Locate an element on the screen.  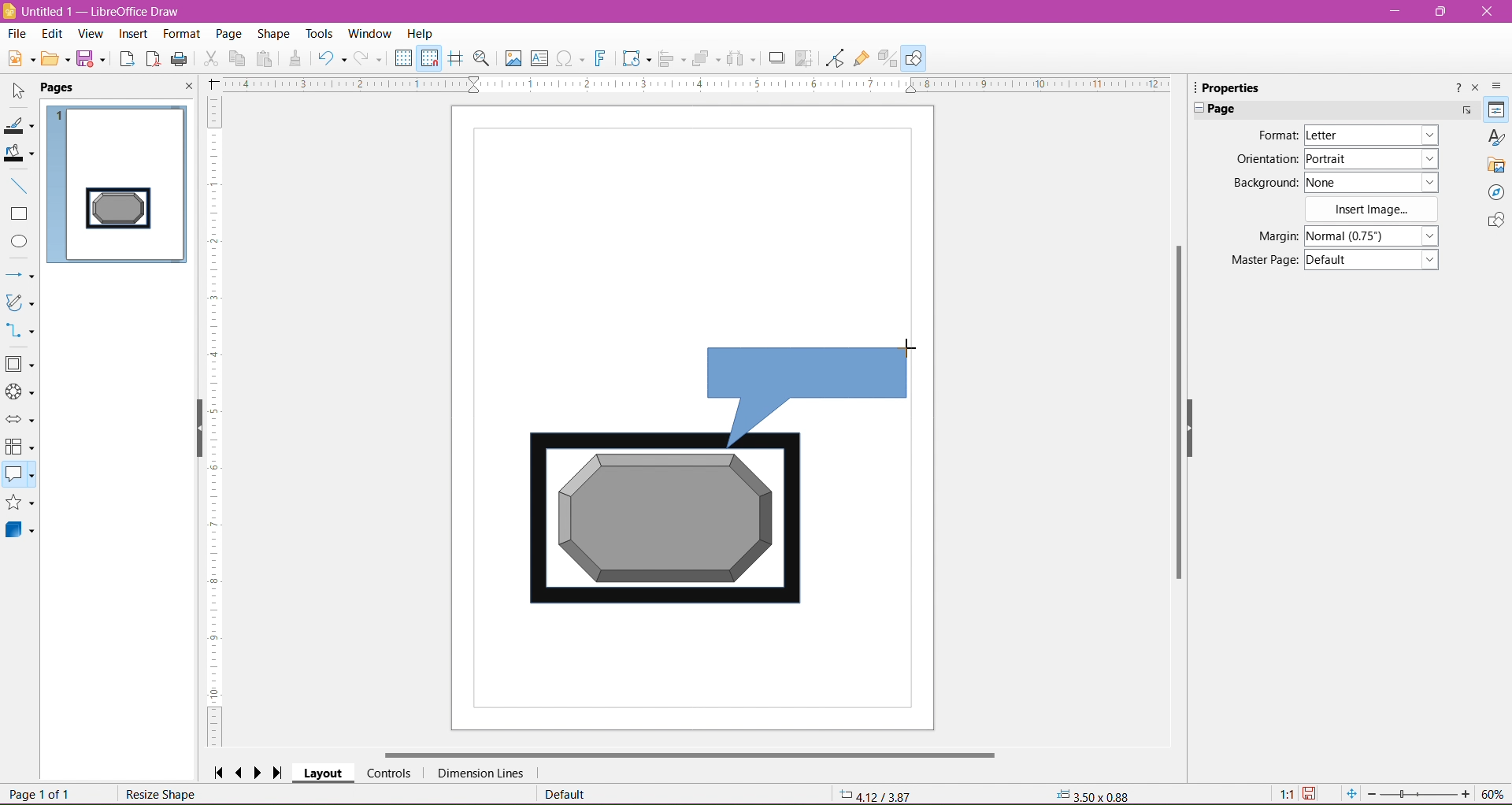
Format is located at coordinates (1275, 135).